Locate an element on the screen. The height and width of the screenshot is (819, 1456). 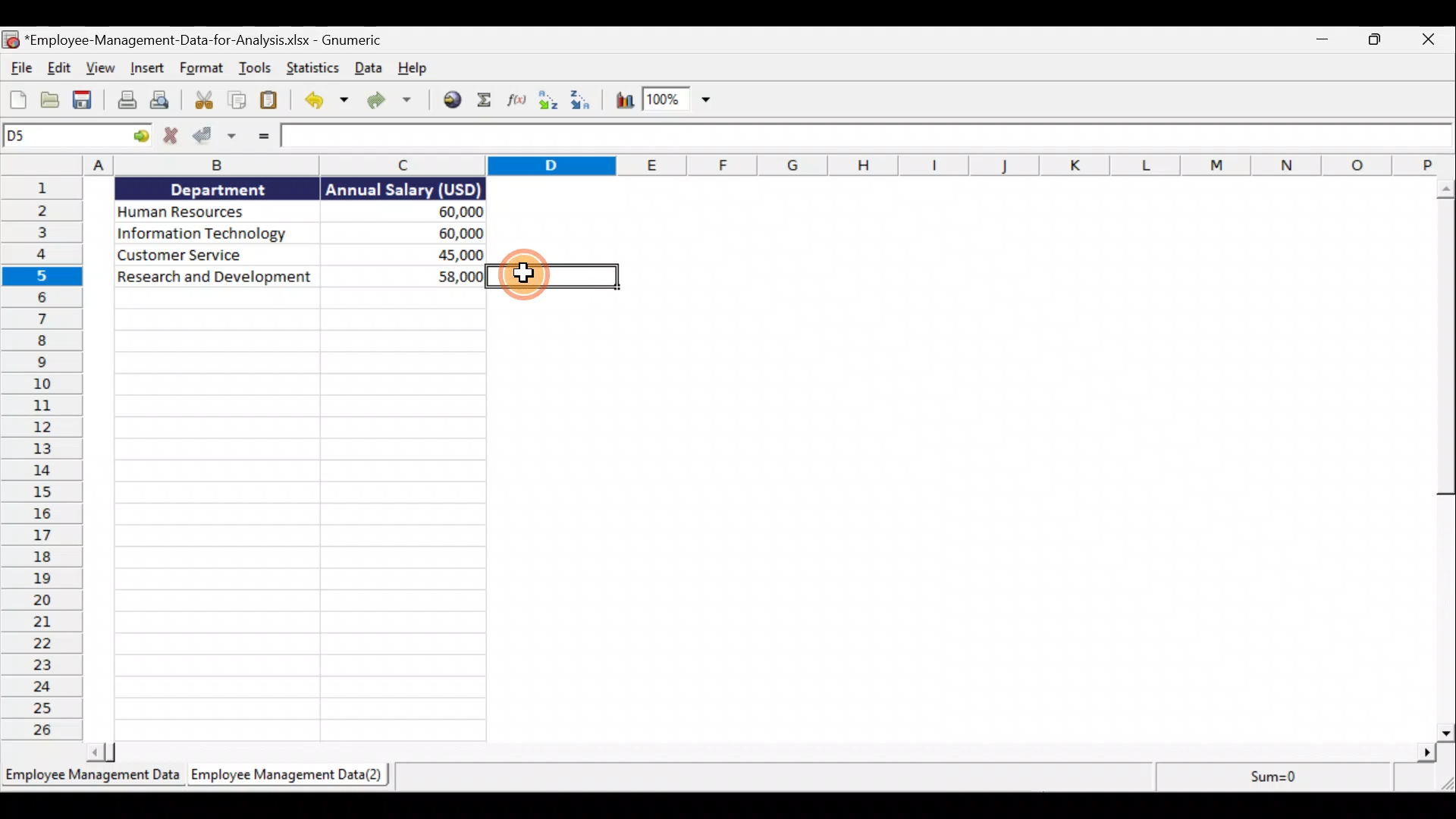
Zoom is located at coordinates (686, 102).